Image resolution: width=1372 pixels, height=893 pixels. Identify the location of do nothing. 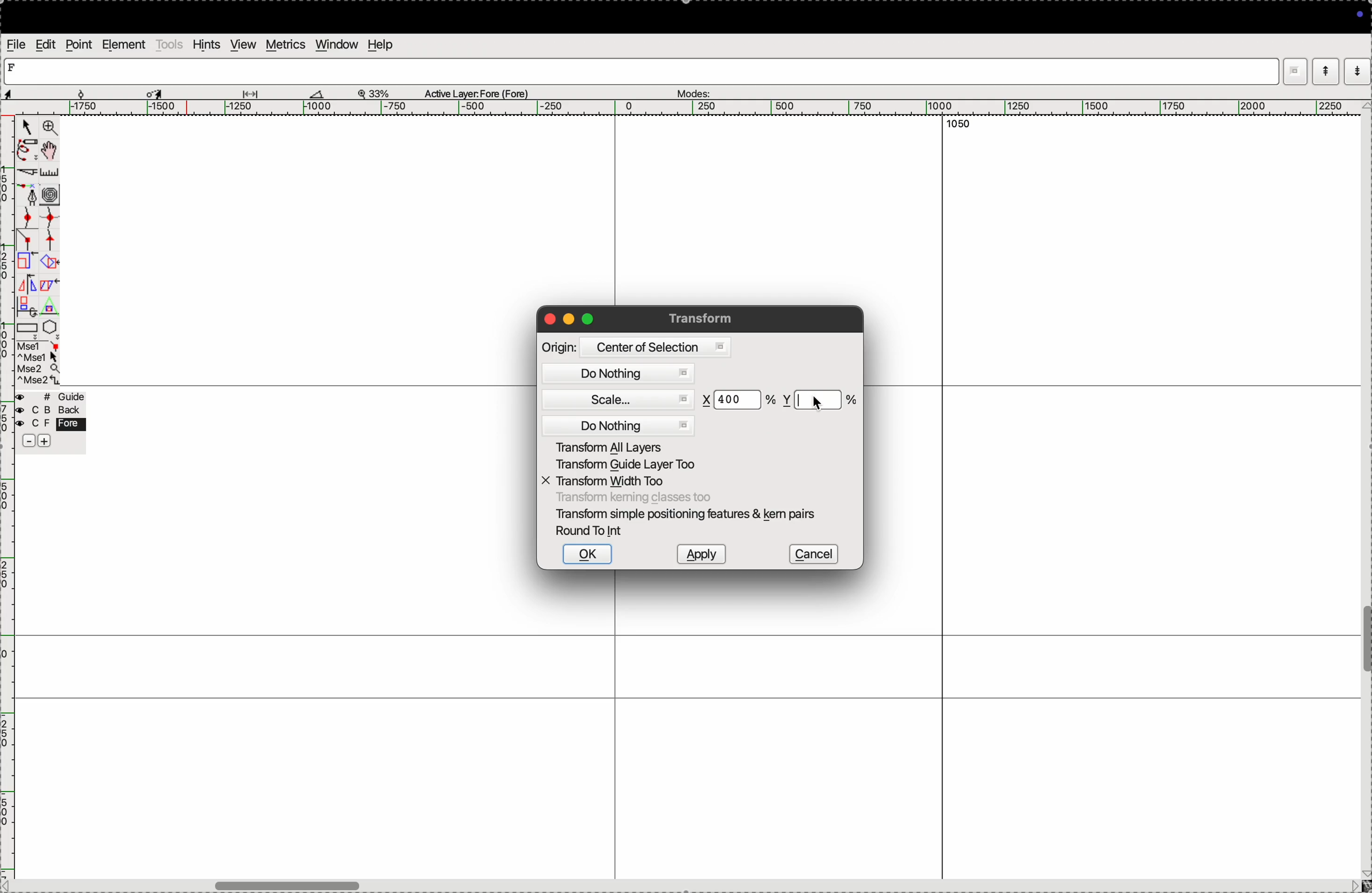
(621, 374).